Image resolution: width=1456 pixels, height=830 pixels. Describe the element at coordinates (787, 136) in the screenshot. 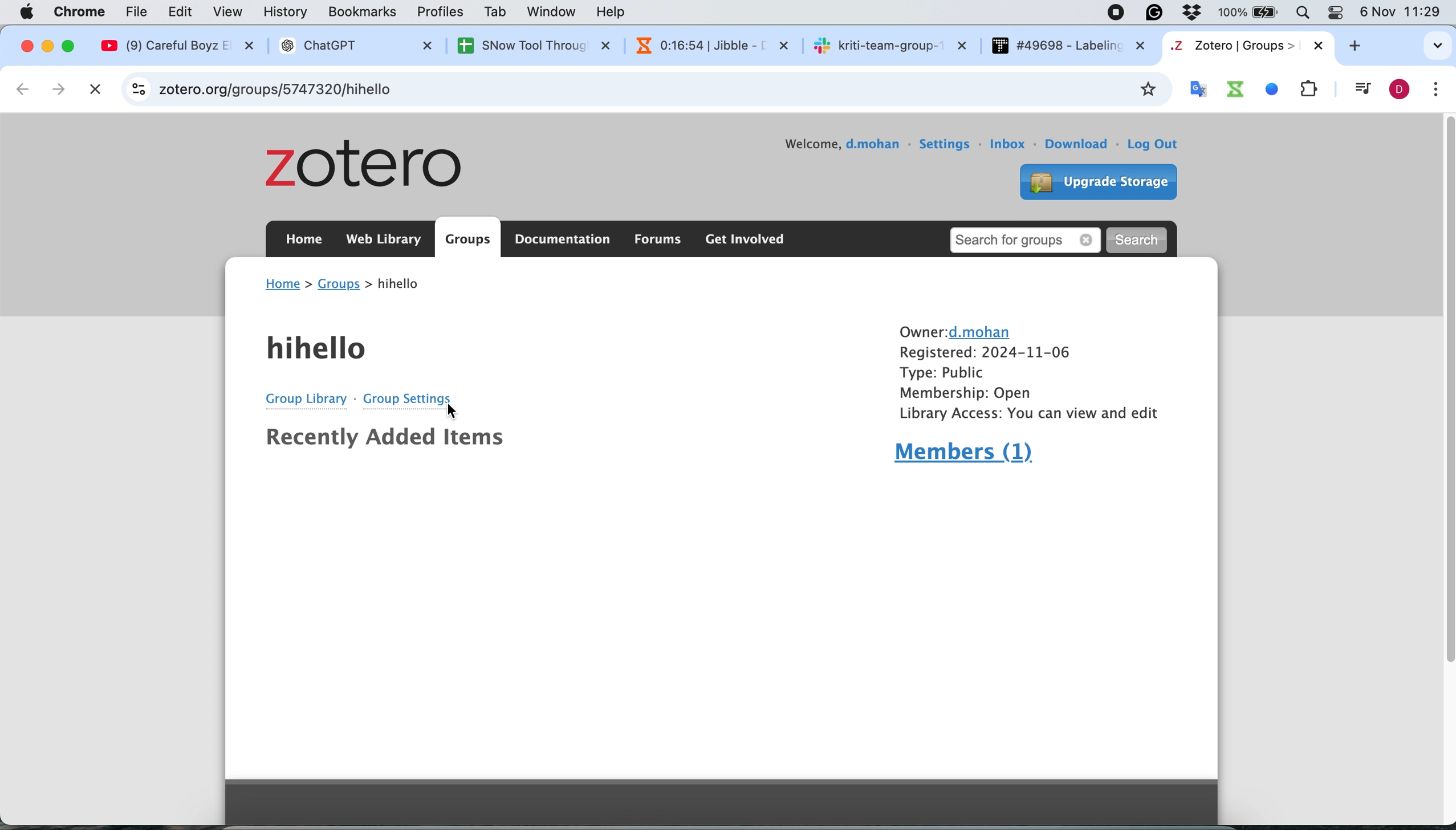

I see `welcome` at that location.